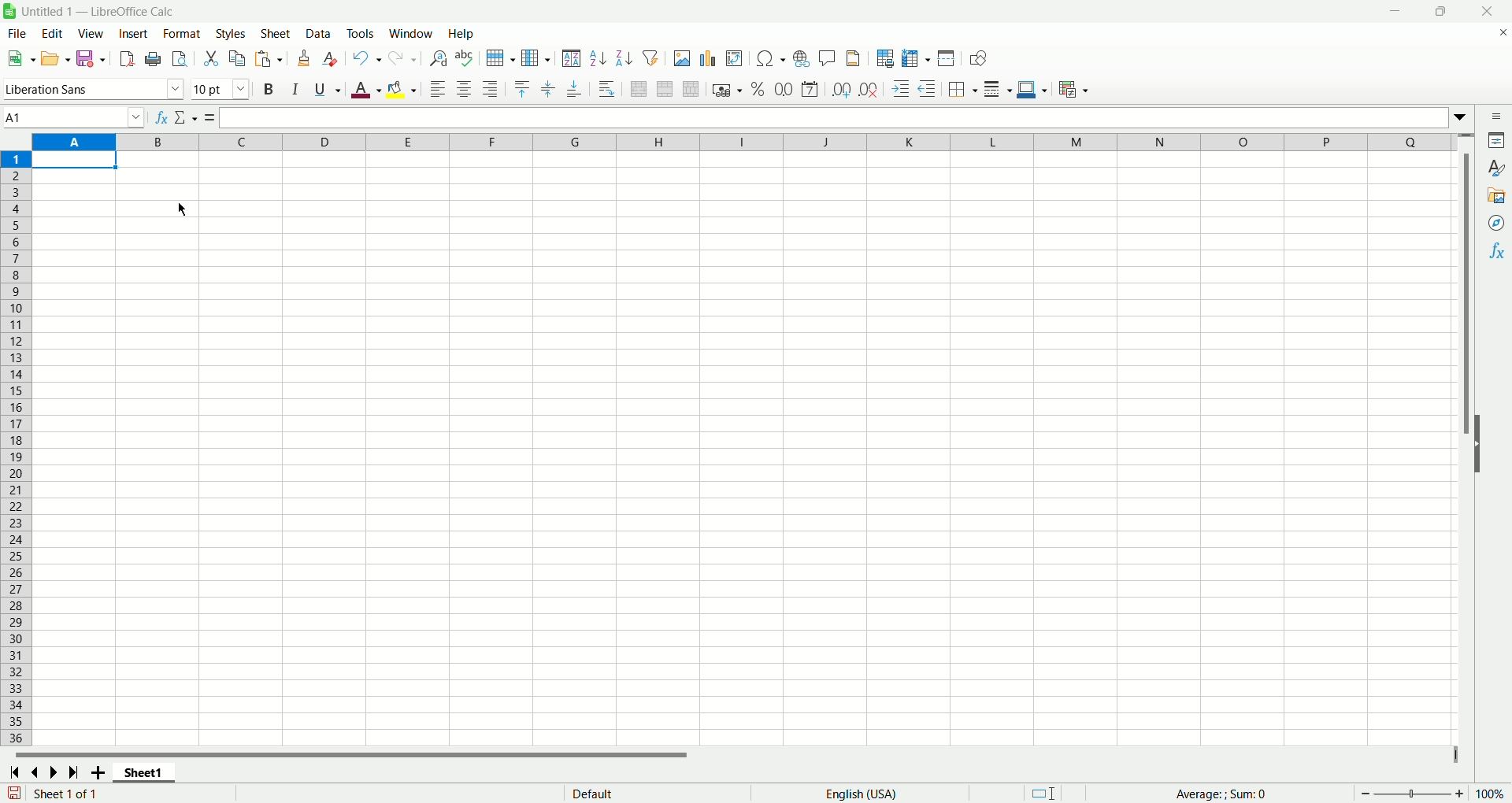 Image resolution: width=1512 pixels, height=803 pixels. Describe the element at coordinates (773, 58) in the screenshot. I see `insert special character` at that location.